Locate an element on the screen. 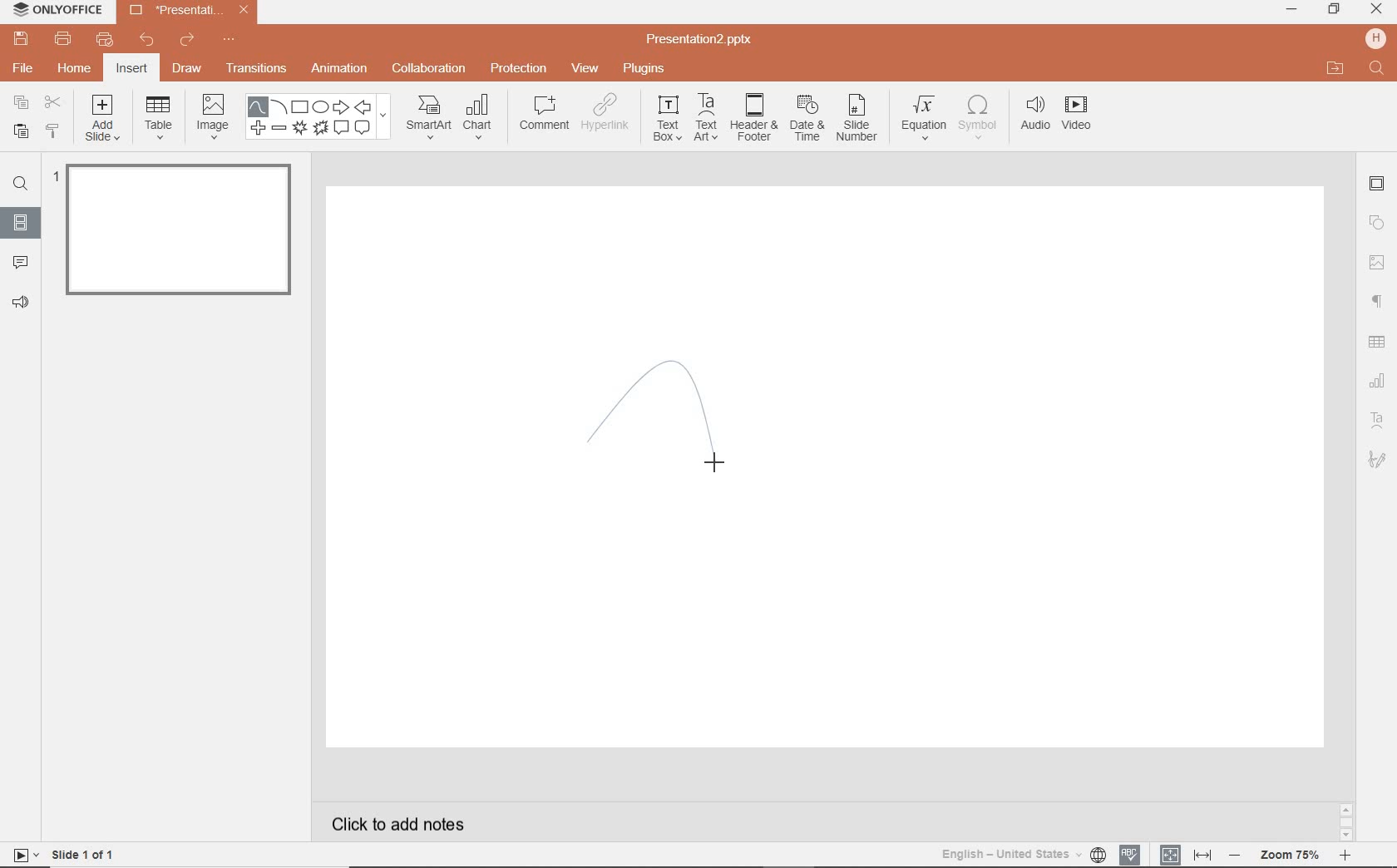 The image size is (1397, 868). SYMBOL is located at coordinates (978, 117).